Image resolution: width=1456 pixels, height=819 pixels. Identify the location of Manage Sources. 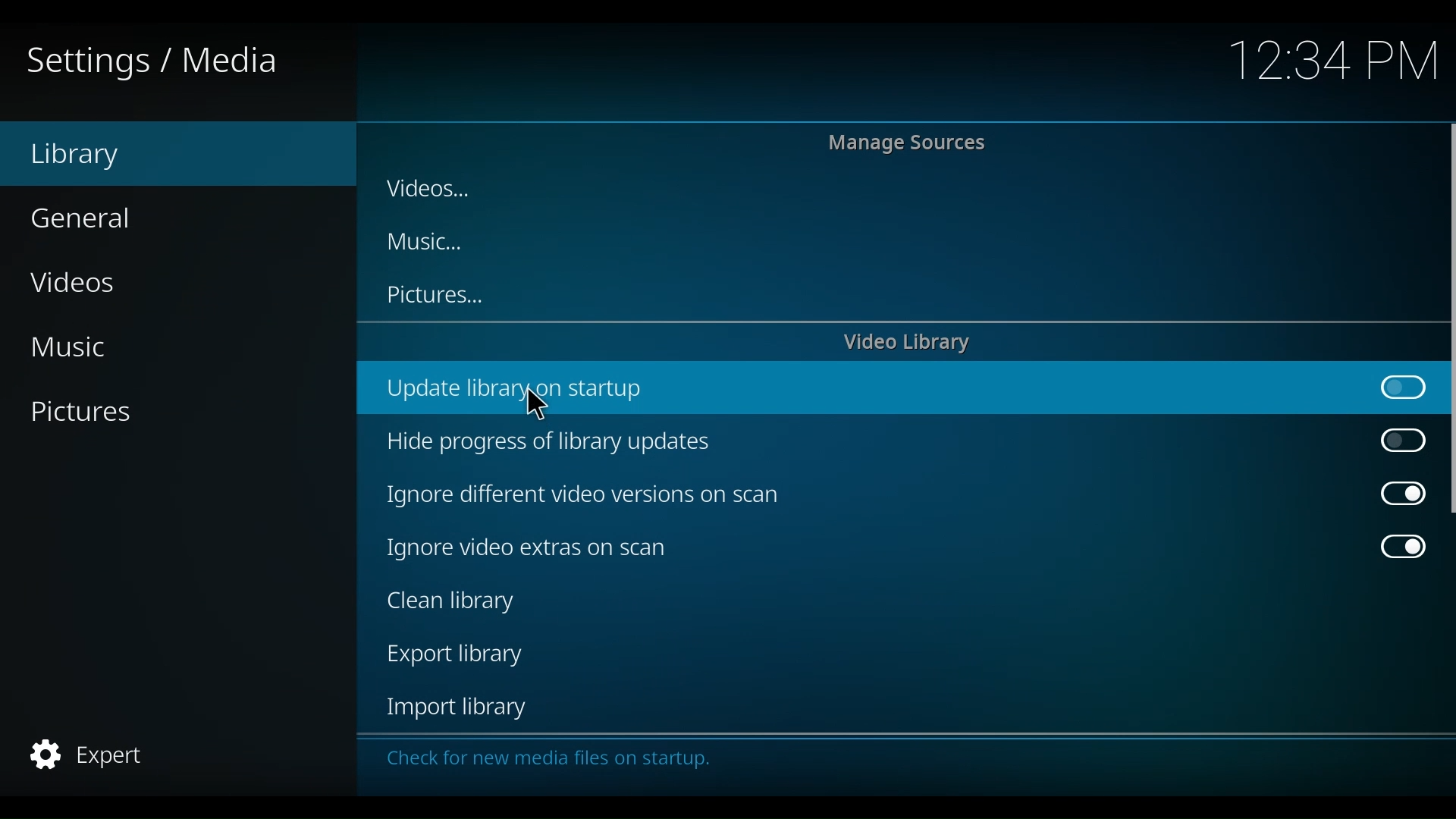
(899, 144).